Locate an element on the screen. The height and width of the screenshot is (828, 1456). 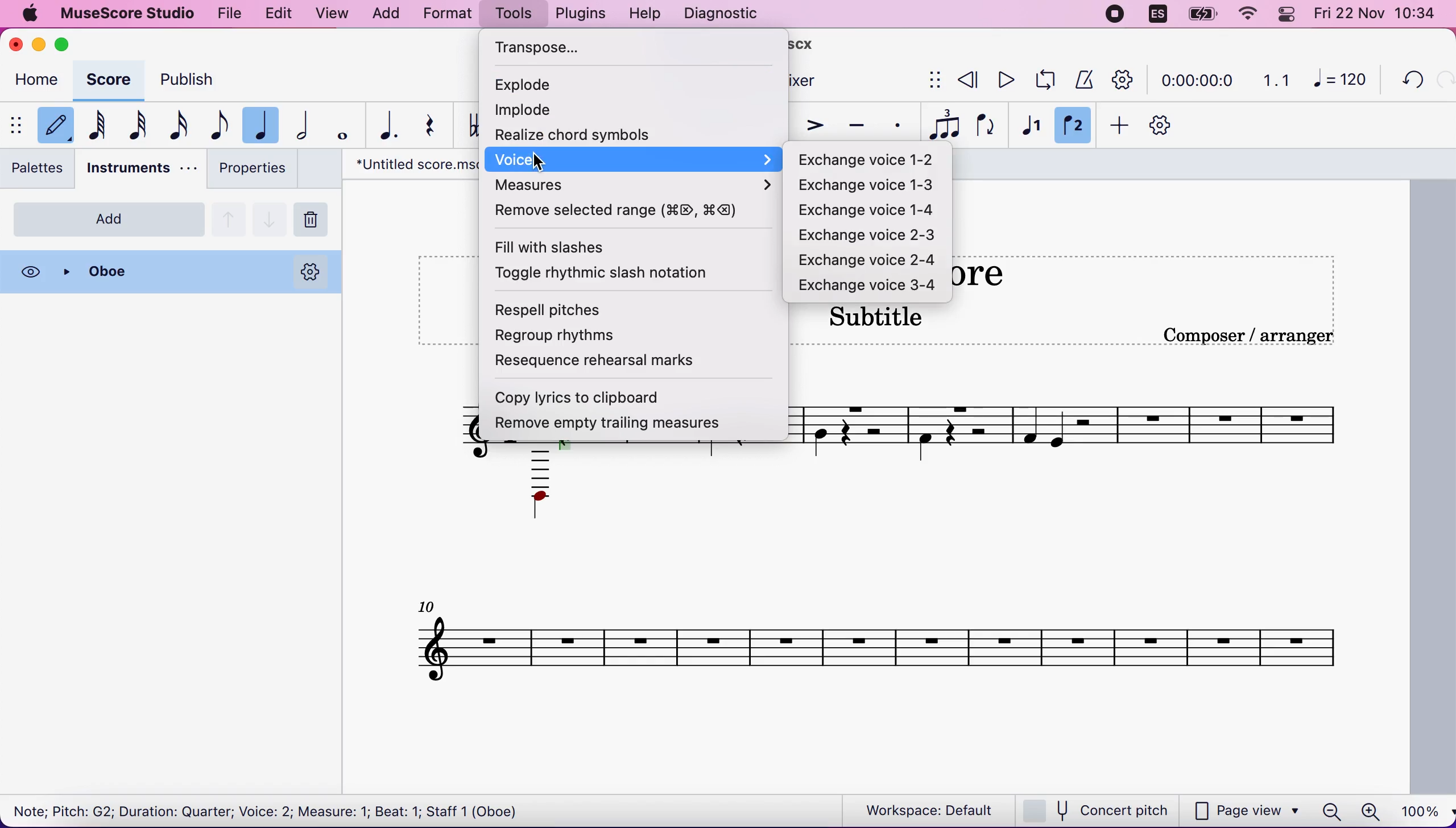
exchange voice 3-4 is located at coordinates (872, 286).